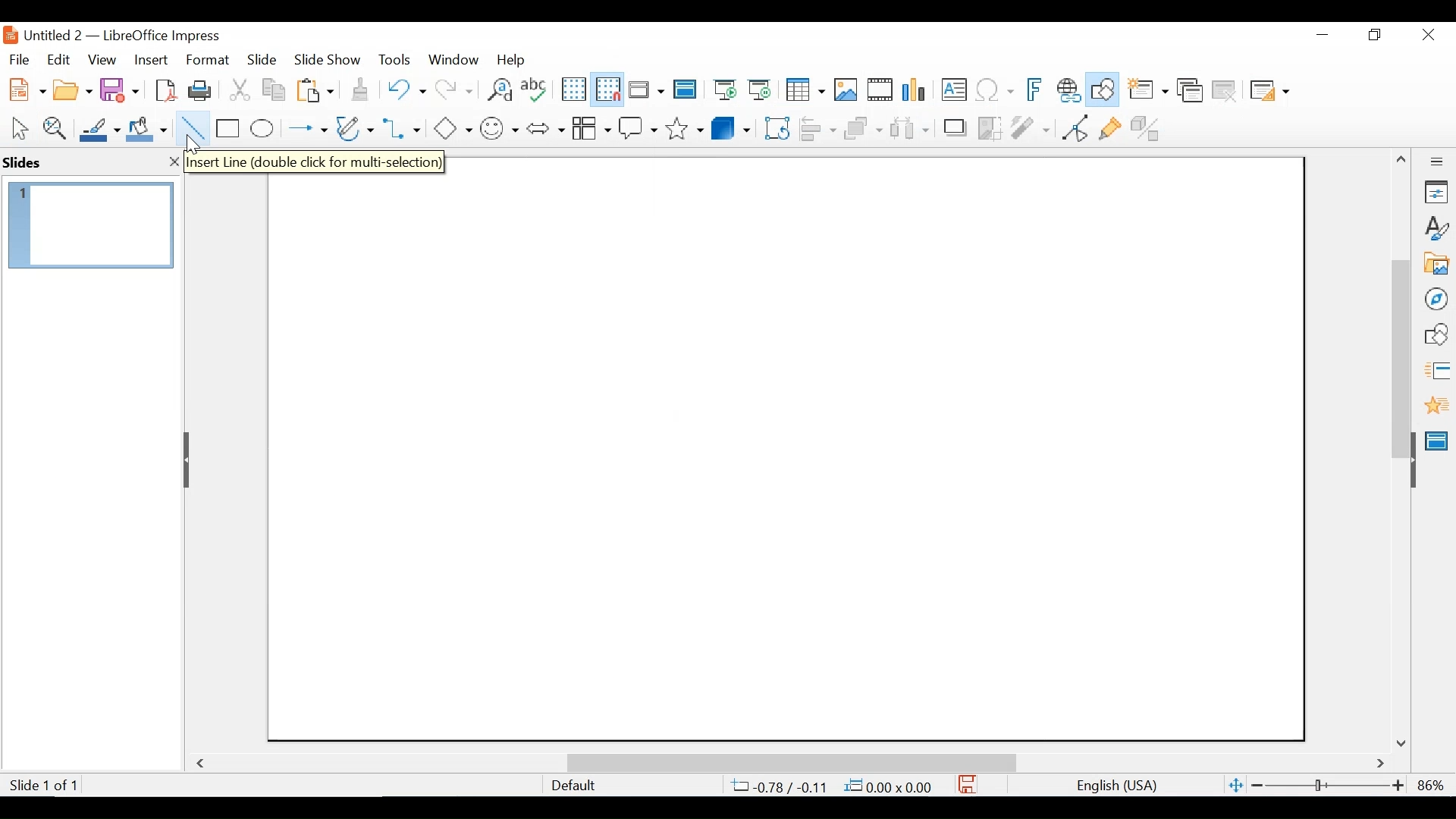 The width and height of the screenshot is (1456, 819). What do you see at coordinates (645, 91) in the screenshot?
I see `Display Views` at bounding box center [645, 91].